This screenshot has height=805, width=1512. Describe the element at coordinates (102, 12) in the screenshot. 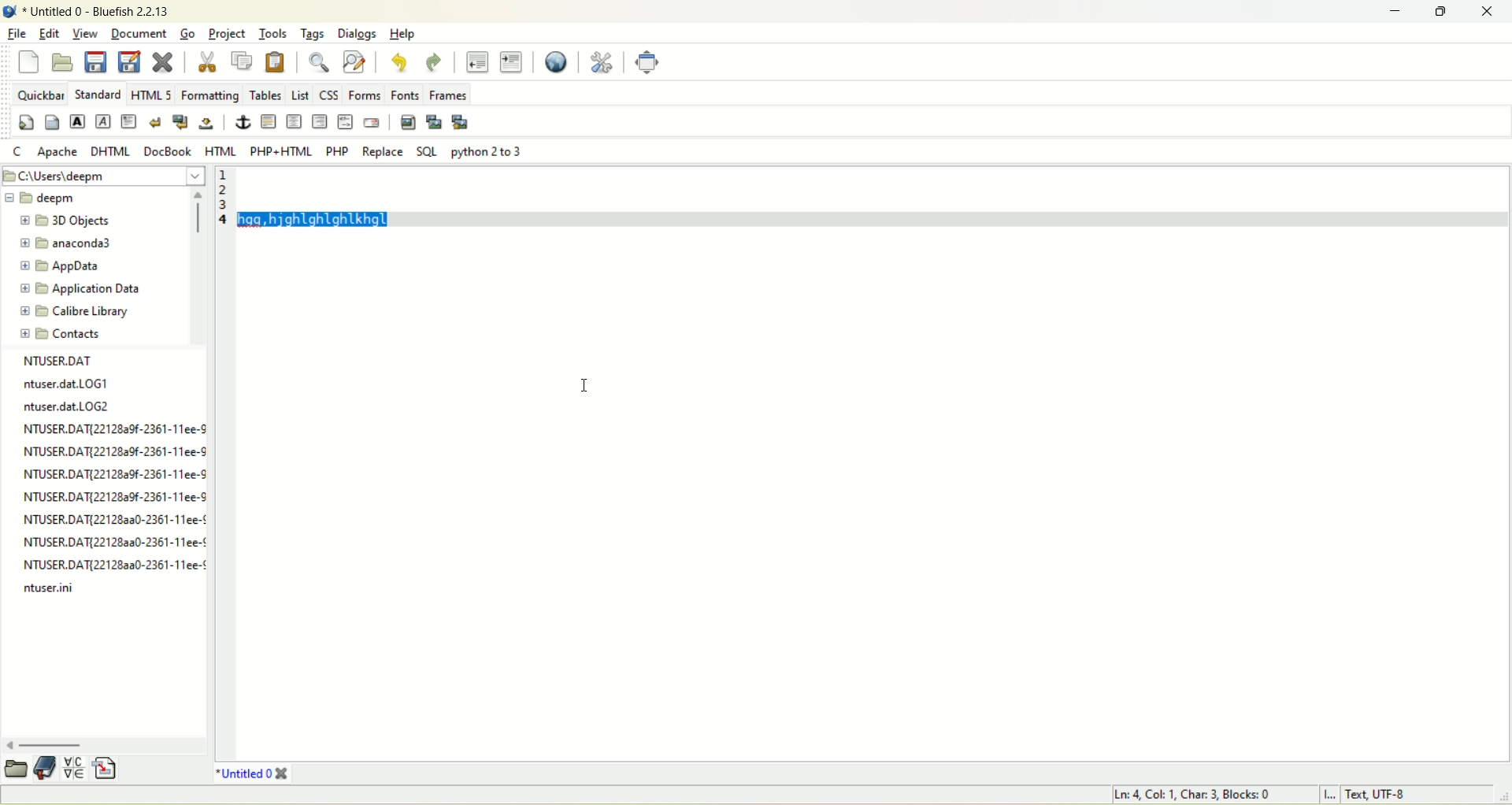

I see `document name` at that location.